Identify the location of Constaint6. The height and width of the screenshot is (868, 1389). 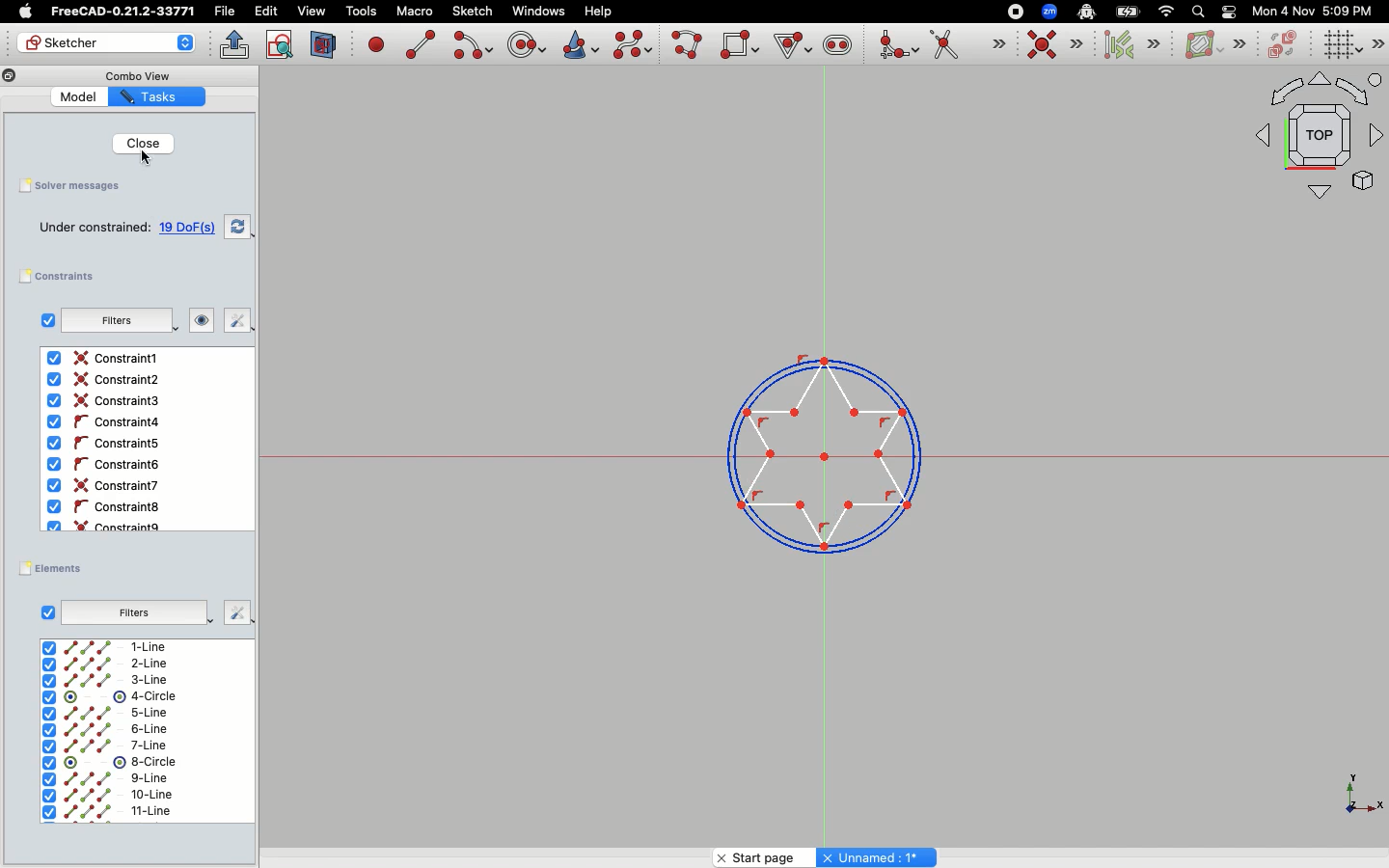
(107, 465).